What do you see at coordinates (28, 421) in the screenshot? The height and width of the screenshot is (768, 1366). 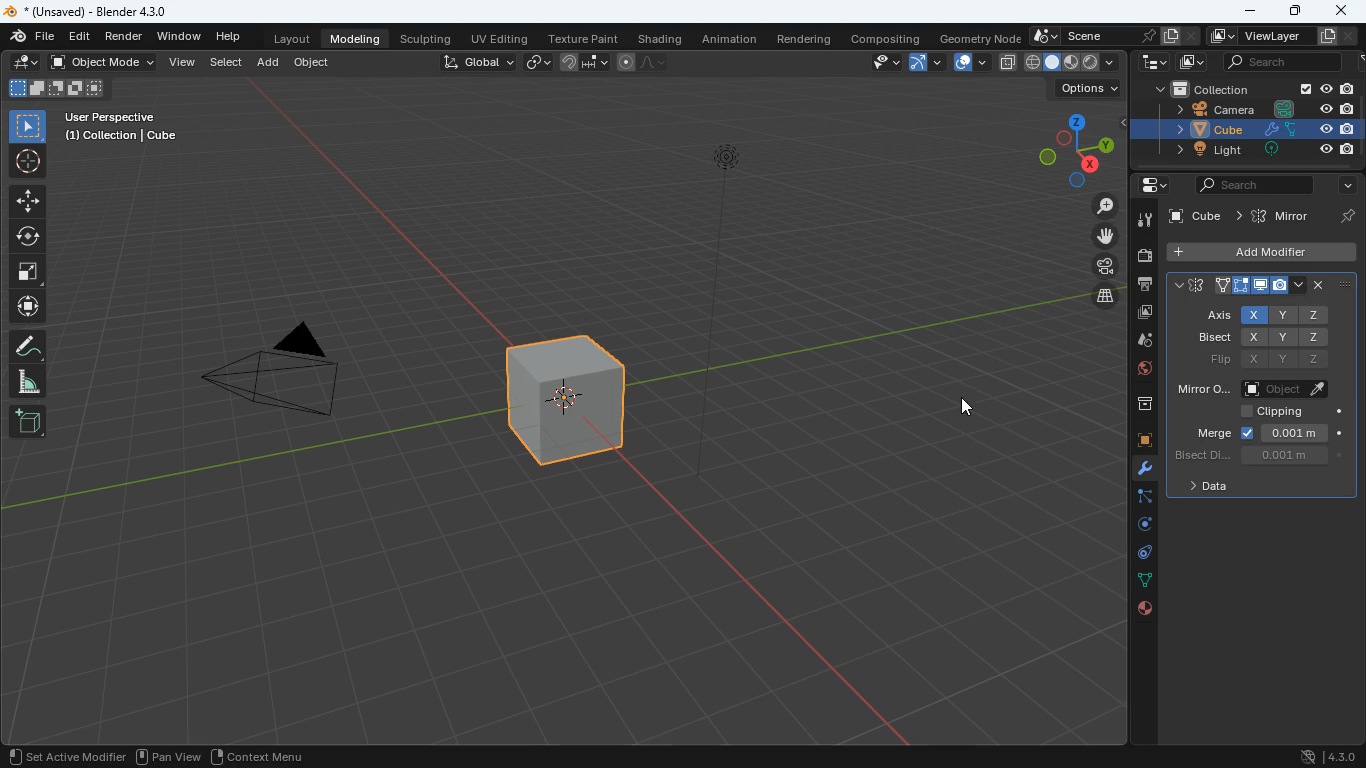 I see `add` at bounding box center [28, 421].